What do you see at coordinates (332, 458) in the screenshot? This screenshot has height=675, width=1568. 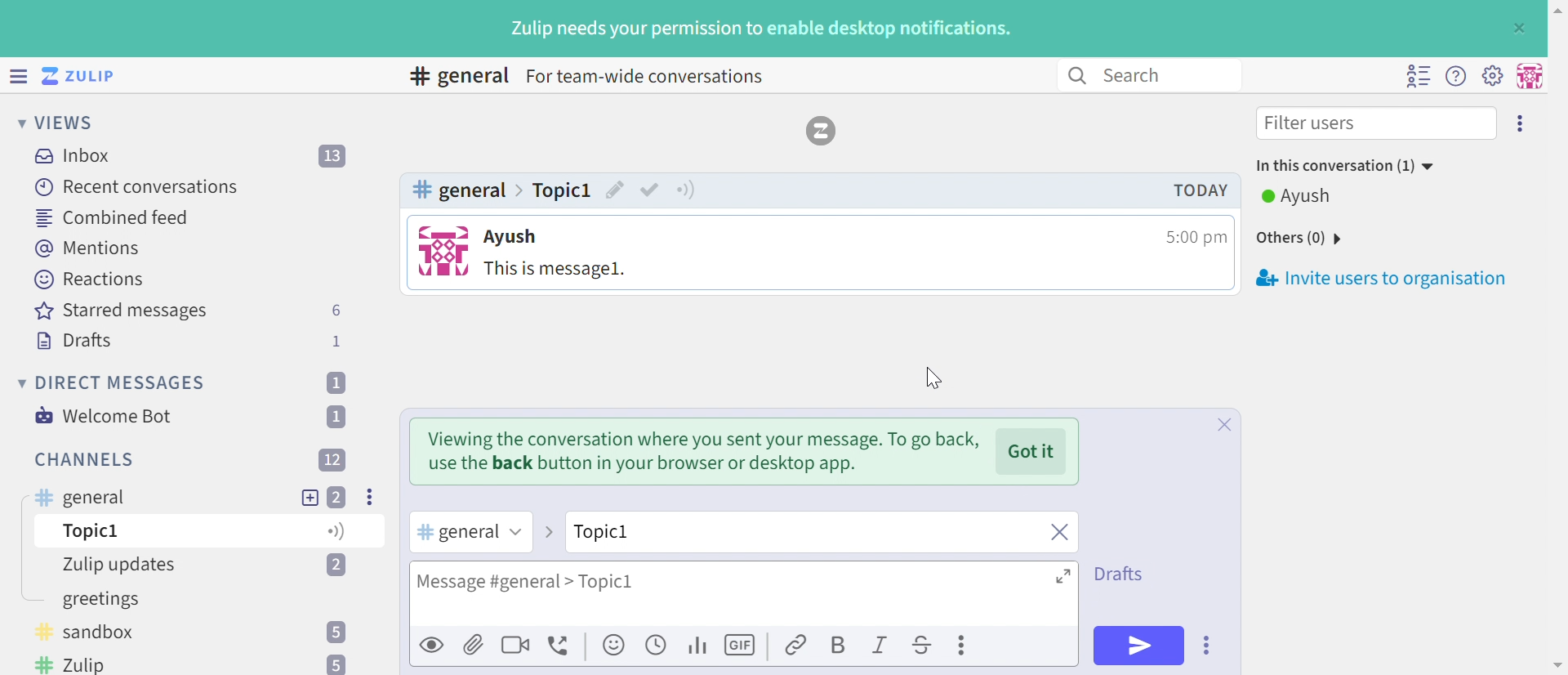 I see `12` at bounding box center [332, 458].